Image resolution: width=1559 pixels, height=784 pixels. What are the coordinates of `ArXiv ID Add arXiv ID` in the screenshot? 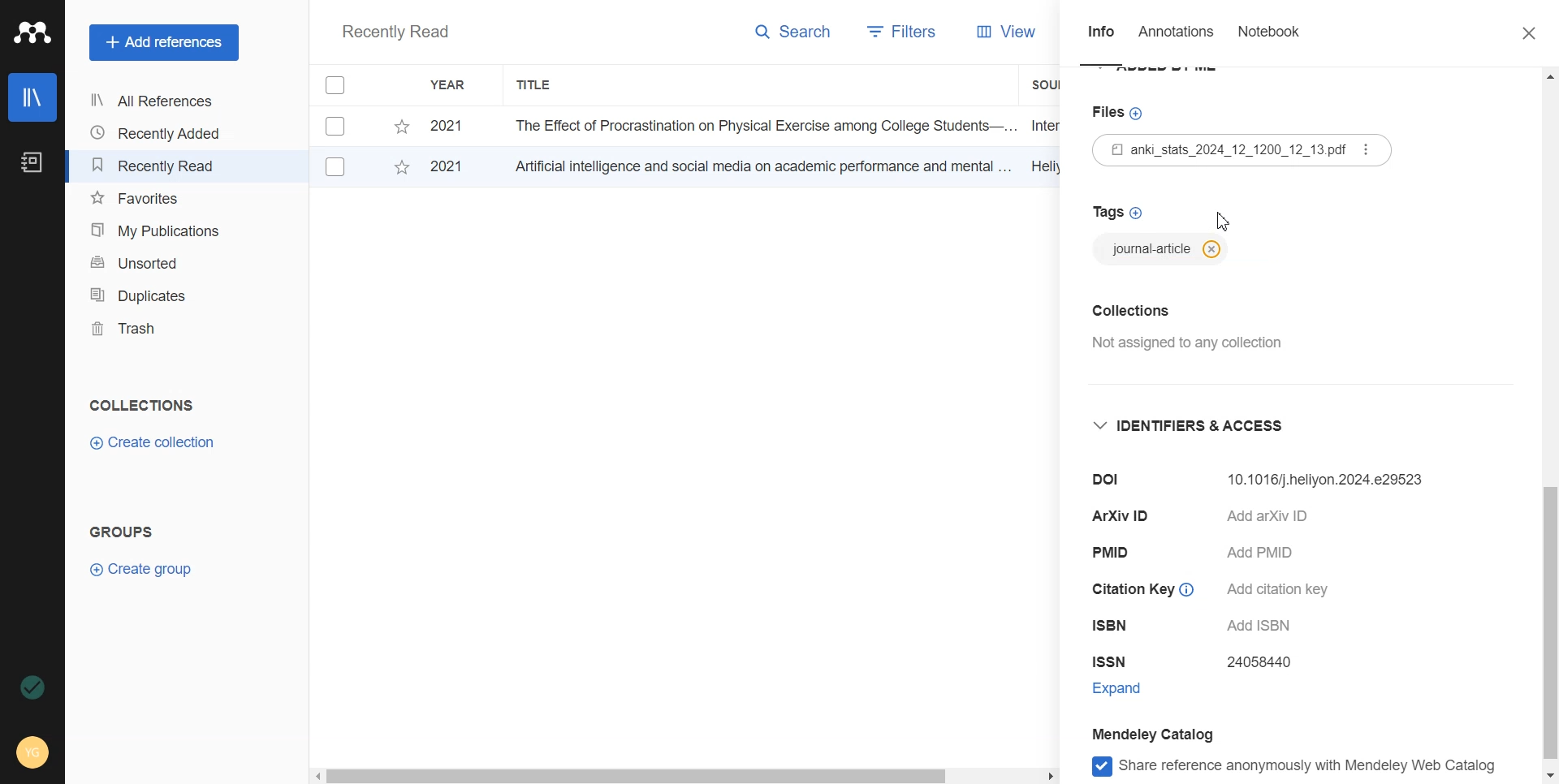 It's located at (1225, 521).